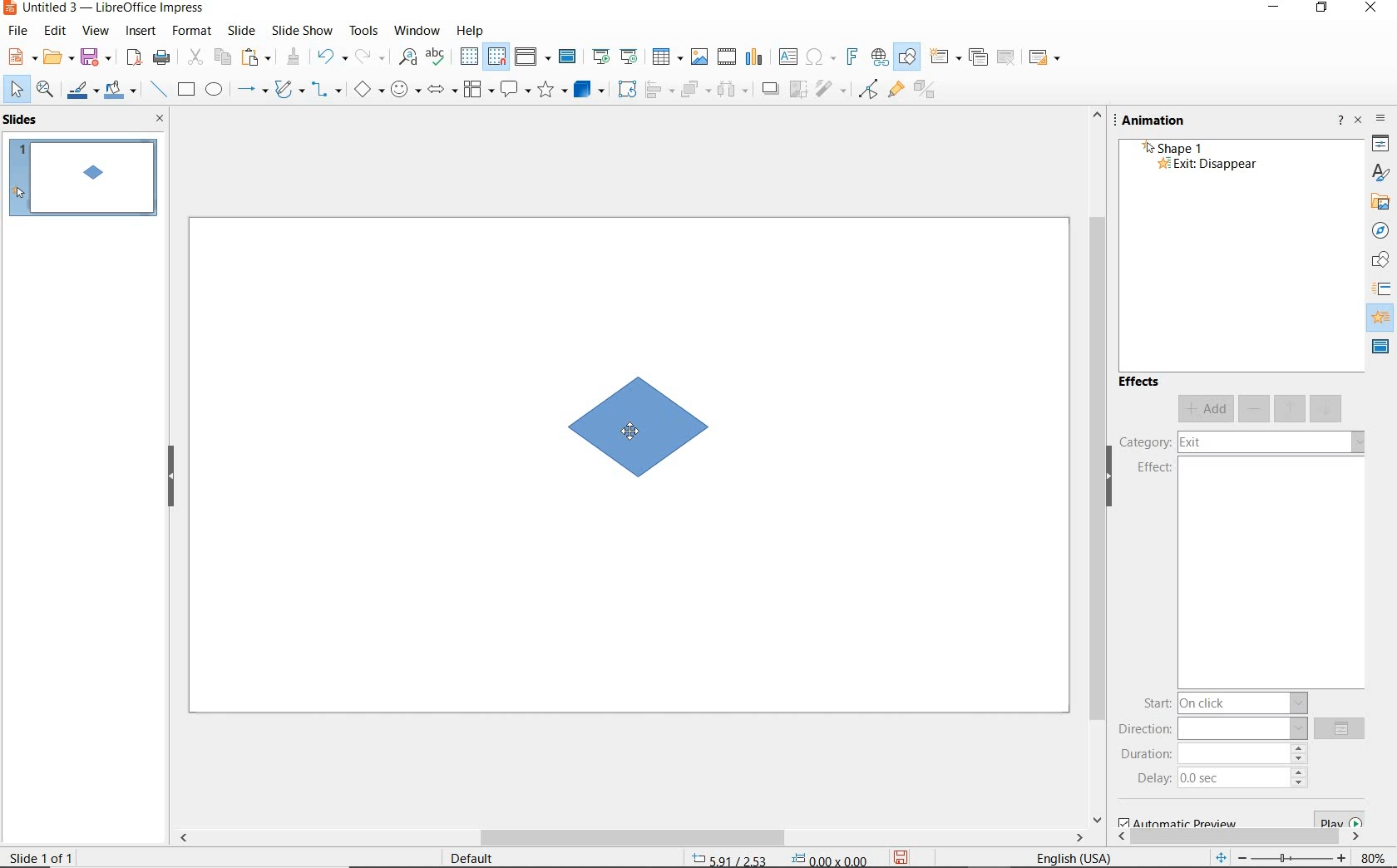  Describe the element at coordinates (365, 32) in the screenshot. I see `tools` at that location.